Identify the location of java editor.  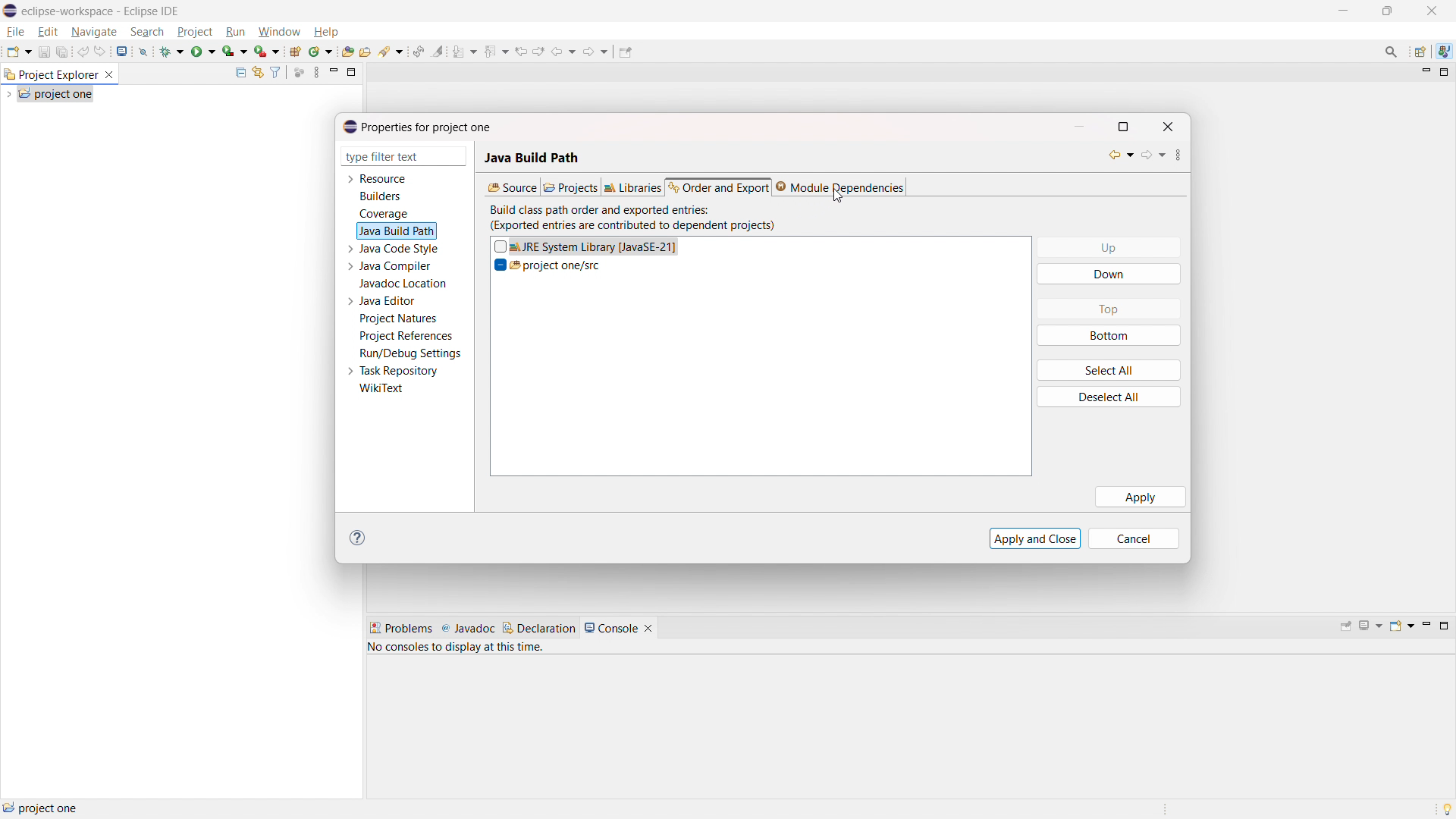
(388, 301).